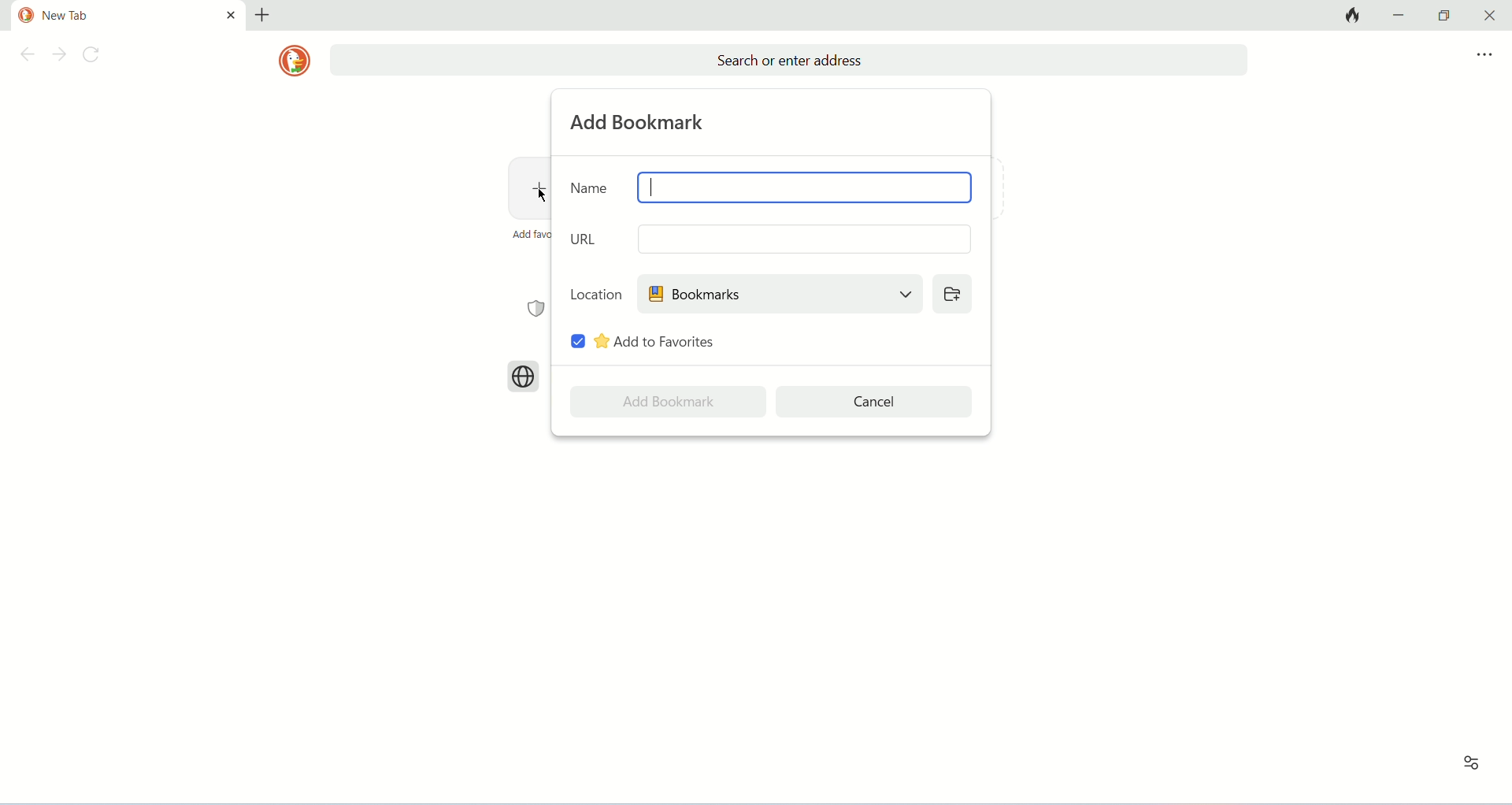  Describe the element at coordinates (1444, 16) in the screenshot. I see `maximize` at that location.